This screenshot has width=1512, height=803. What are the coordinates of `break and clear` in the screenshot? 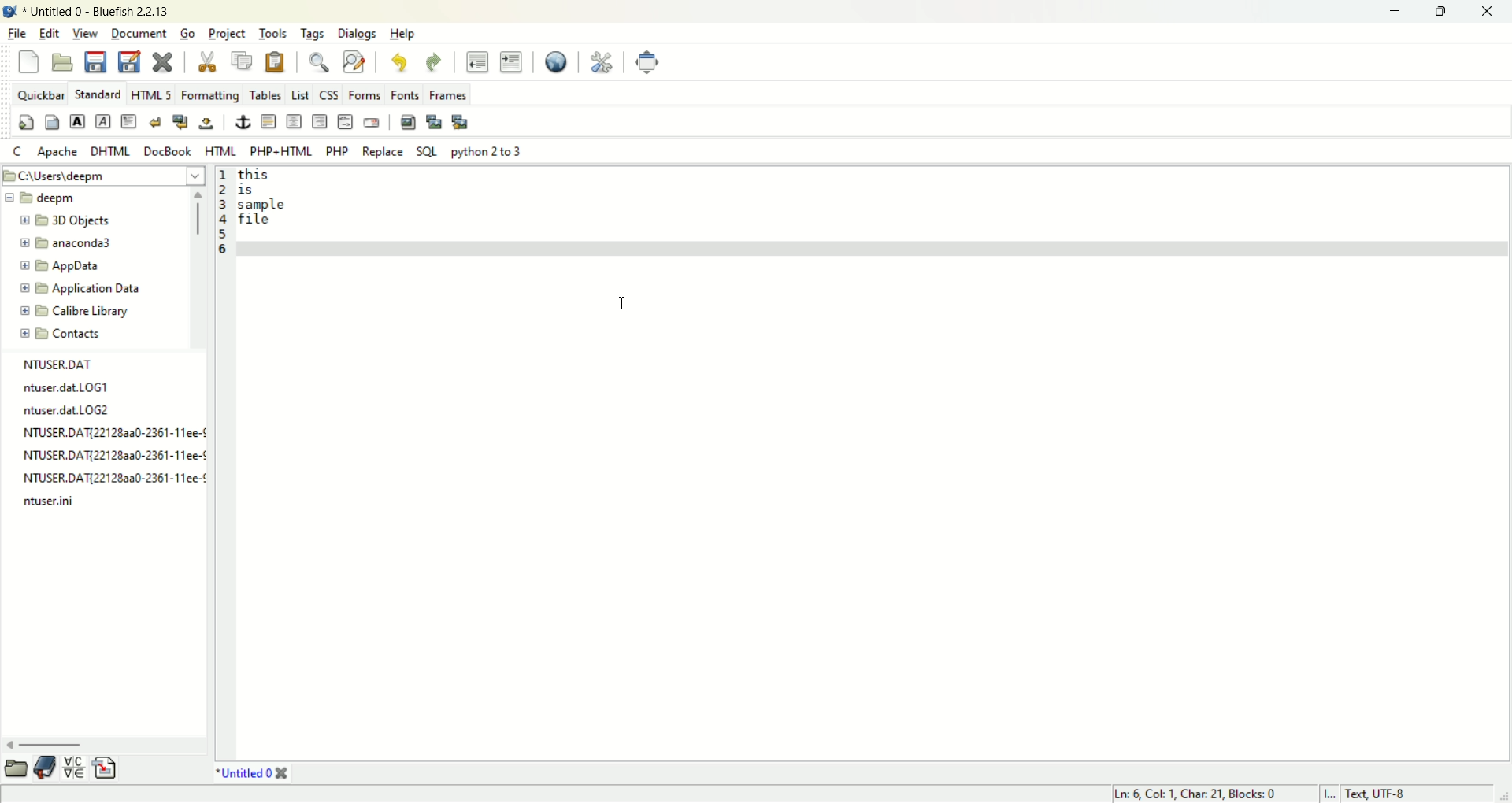 It's located at (181, 120).